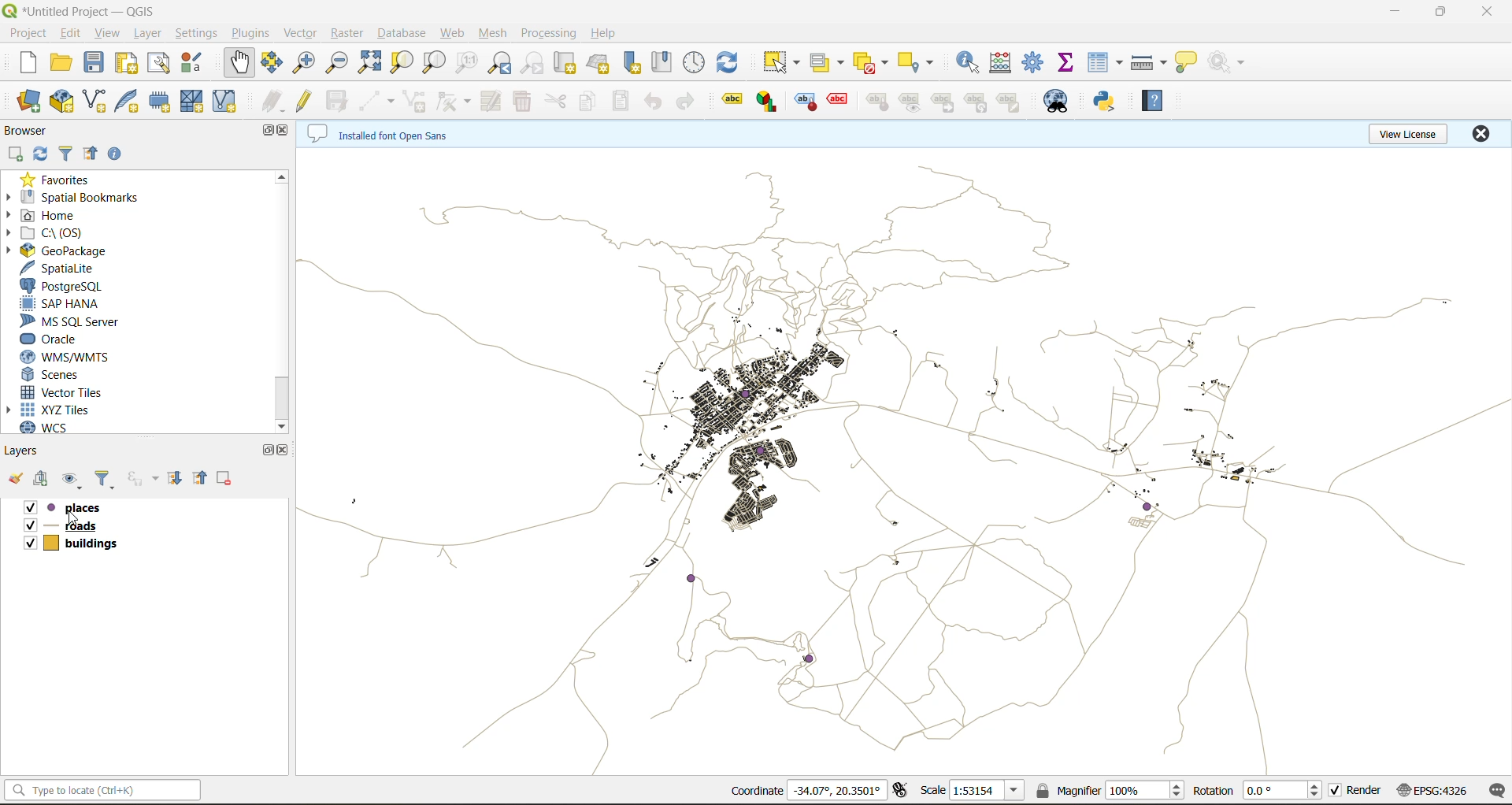  I want to click on c\:os, so click(66, 233).